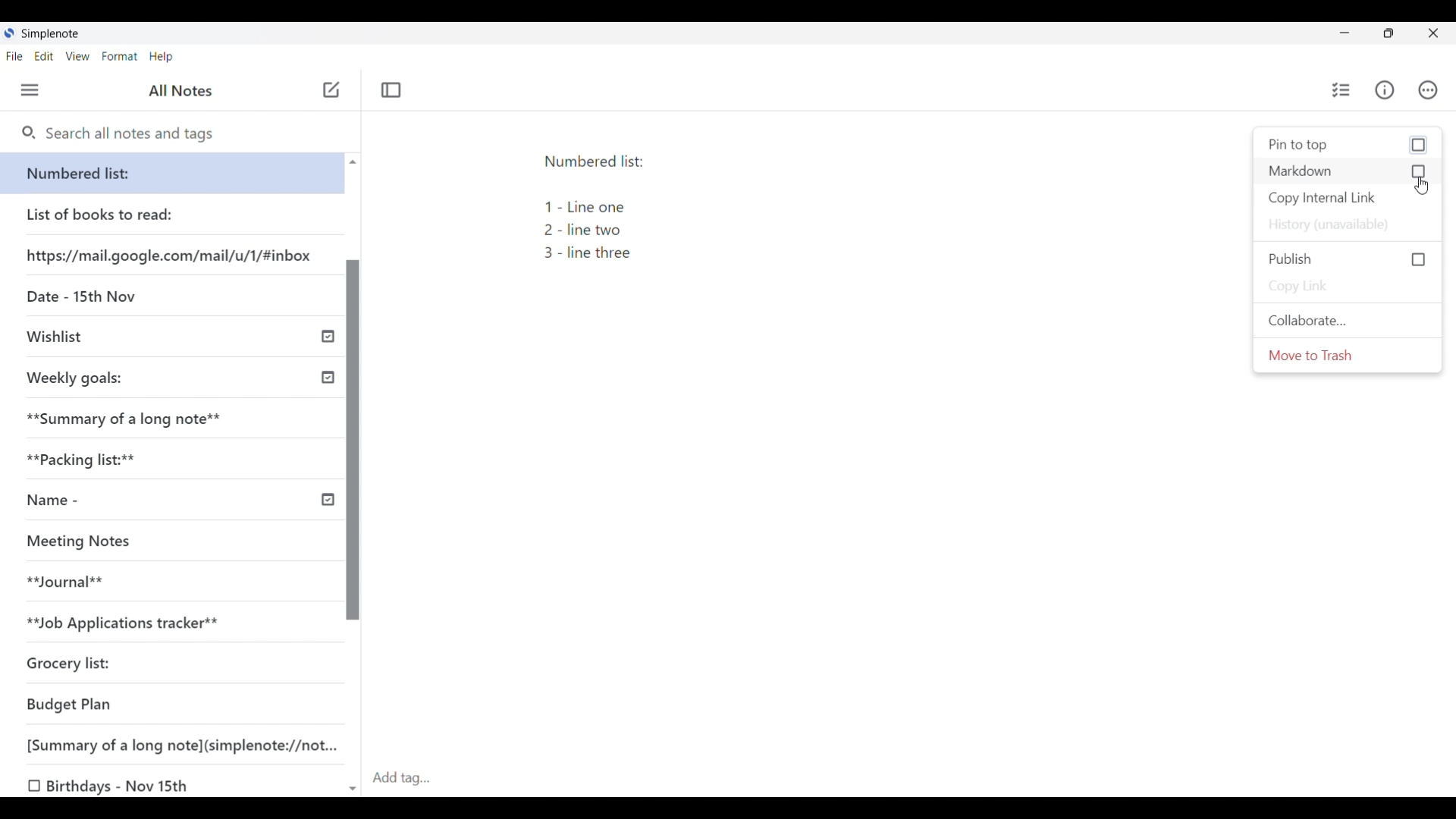 The image size is (1456, 819). I want to click on Click to add tag, so click(911, 776).